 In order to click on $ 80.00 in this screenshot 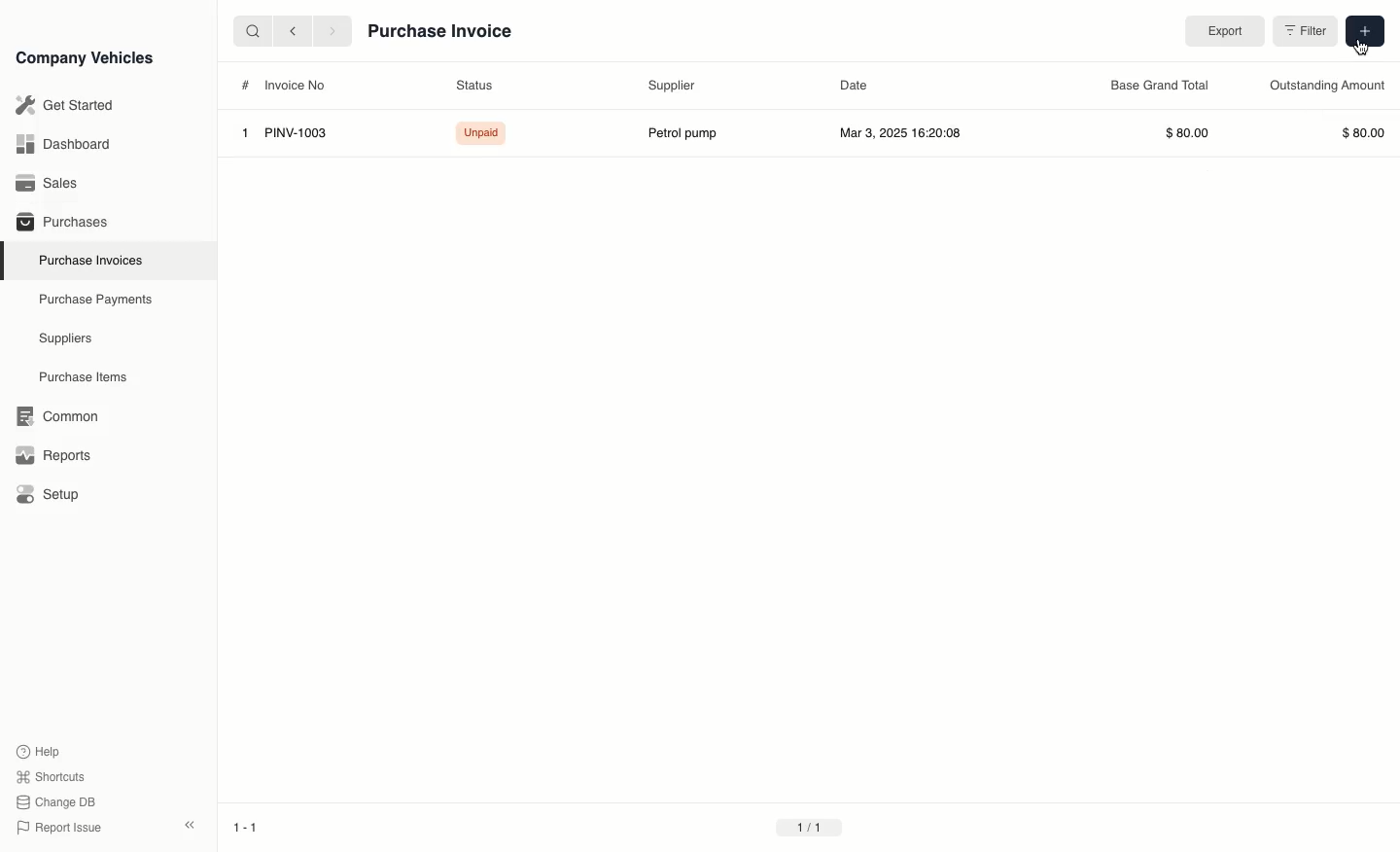, I will do `click(1189, 134)`.